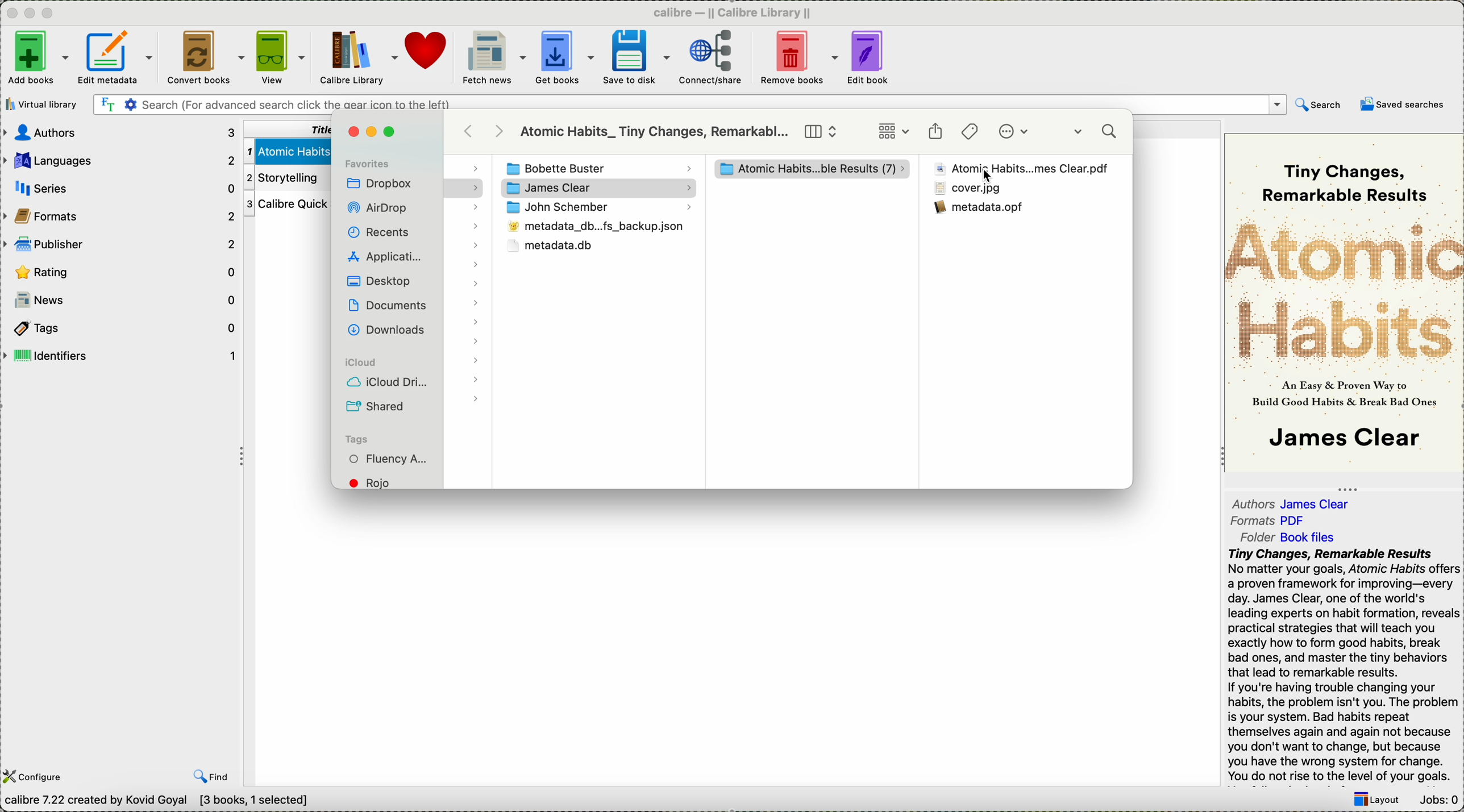 The image size is (1464, 812). What do you see at coordinates (822, 132) in the screenshot?
I see `column list` at bounding box center [822, 132].